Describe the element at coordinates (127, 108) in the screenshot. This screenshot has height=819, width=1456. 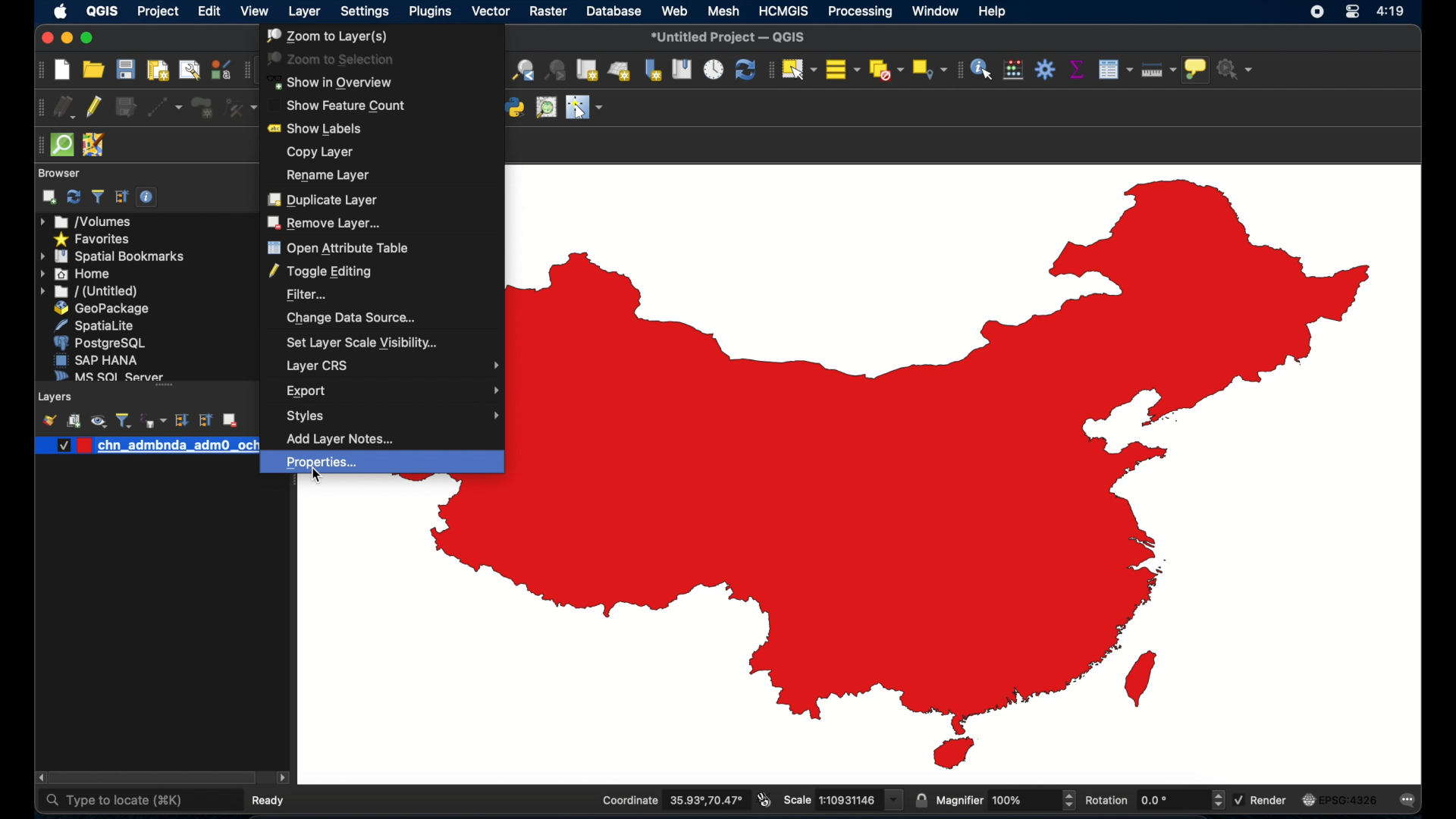
I see `save edits` at that location.